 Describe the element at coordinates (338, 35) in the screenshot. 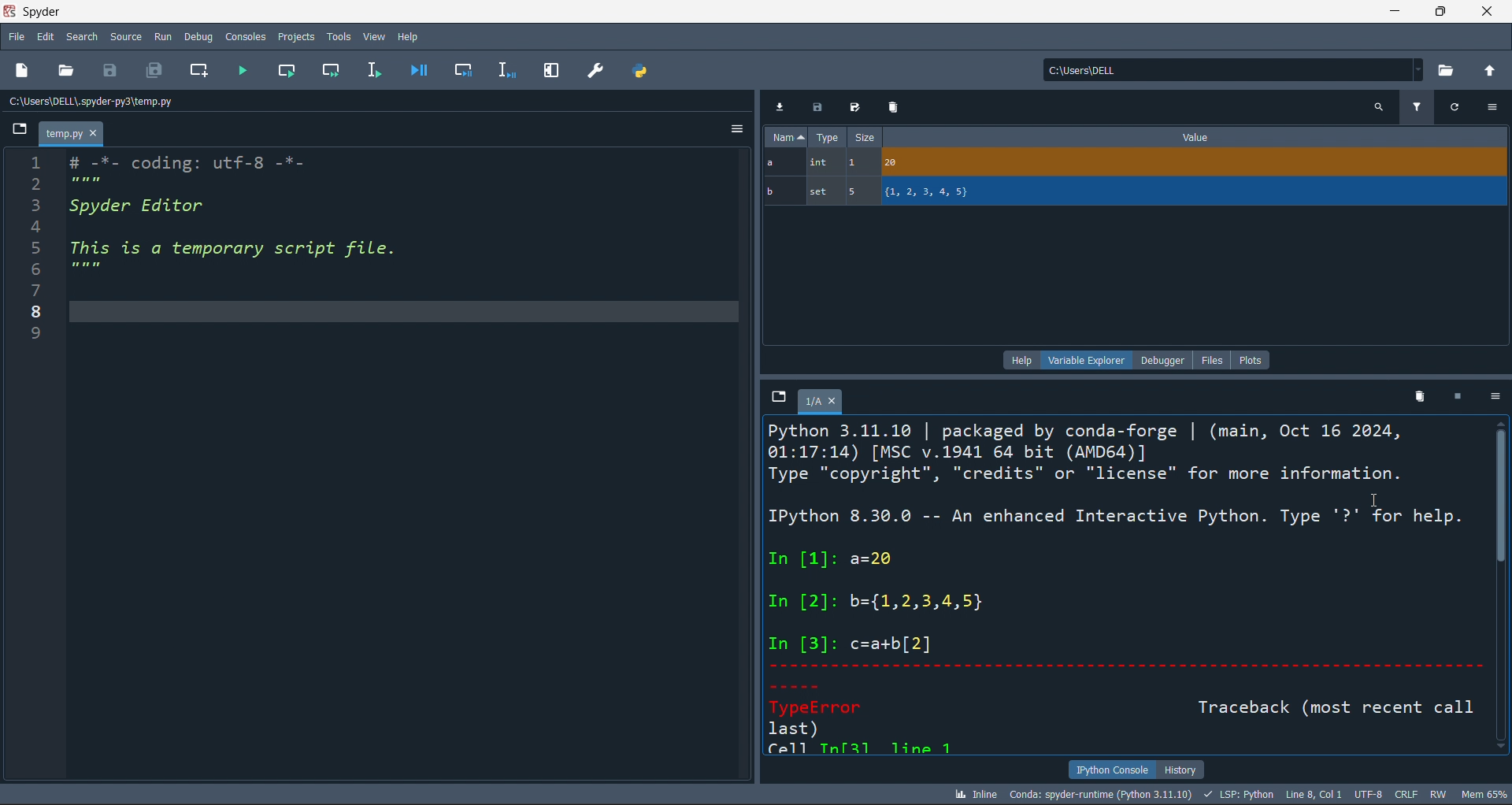

I see `TOOLS` at that location.